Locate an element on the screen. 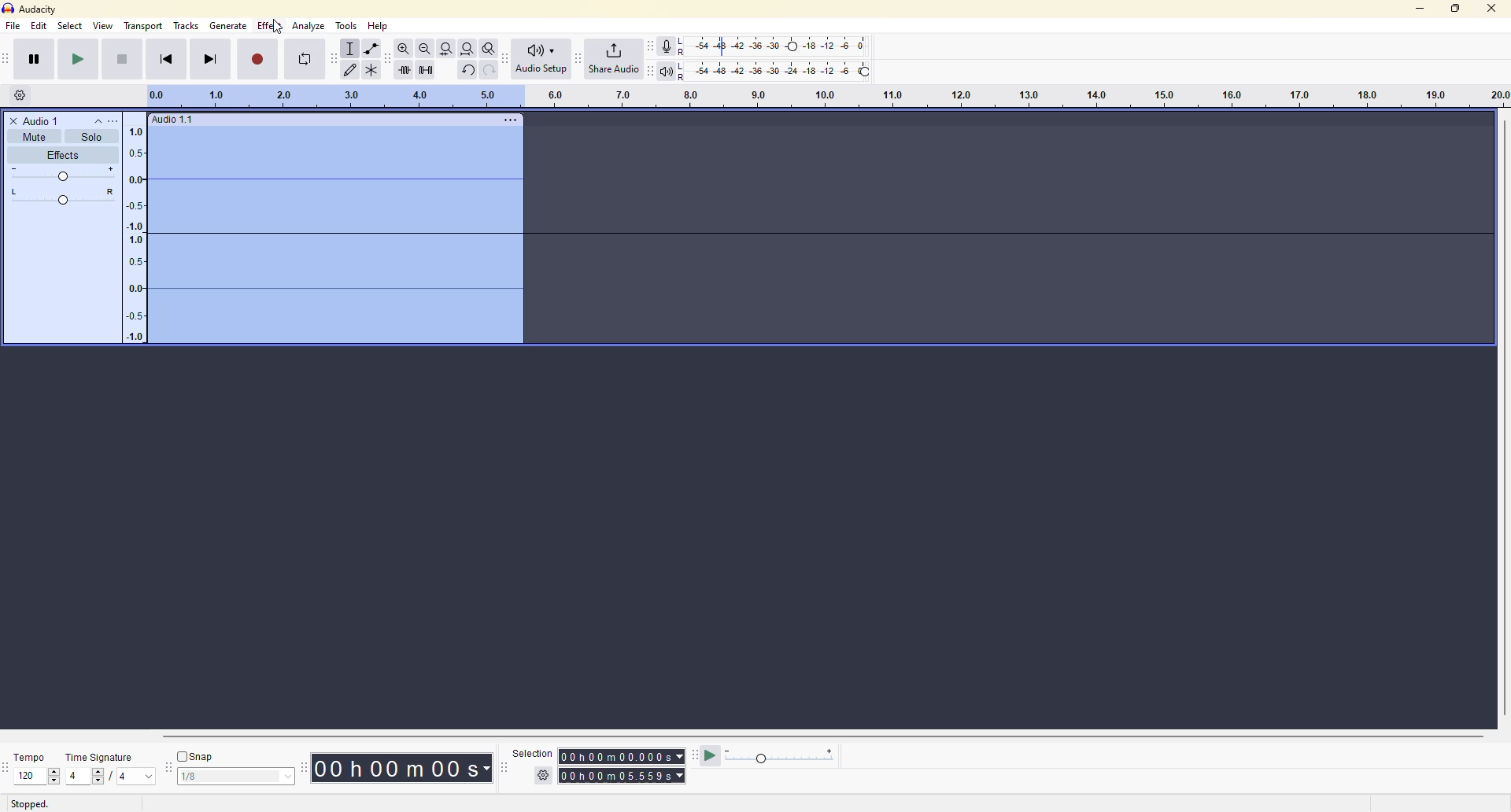 This screenshot has width=1511, height=812. settings is located at coordinates (545, 775).